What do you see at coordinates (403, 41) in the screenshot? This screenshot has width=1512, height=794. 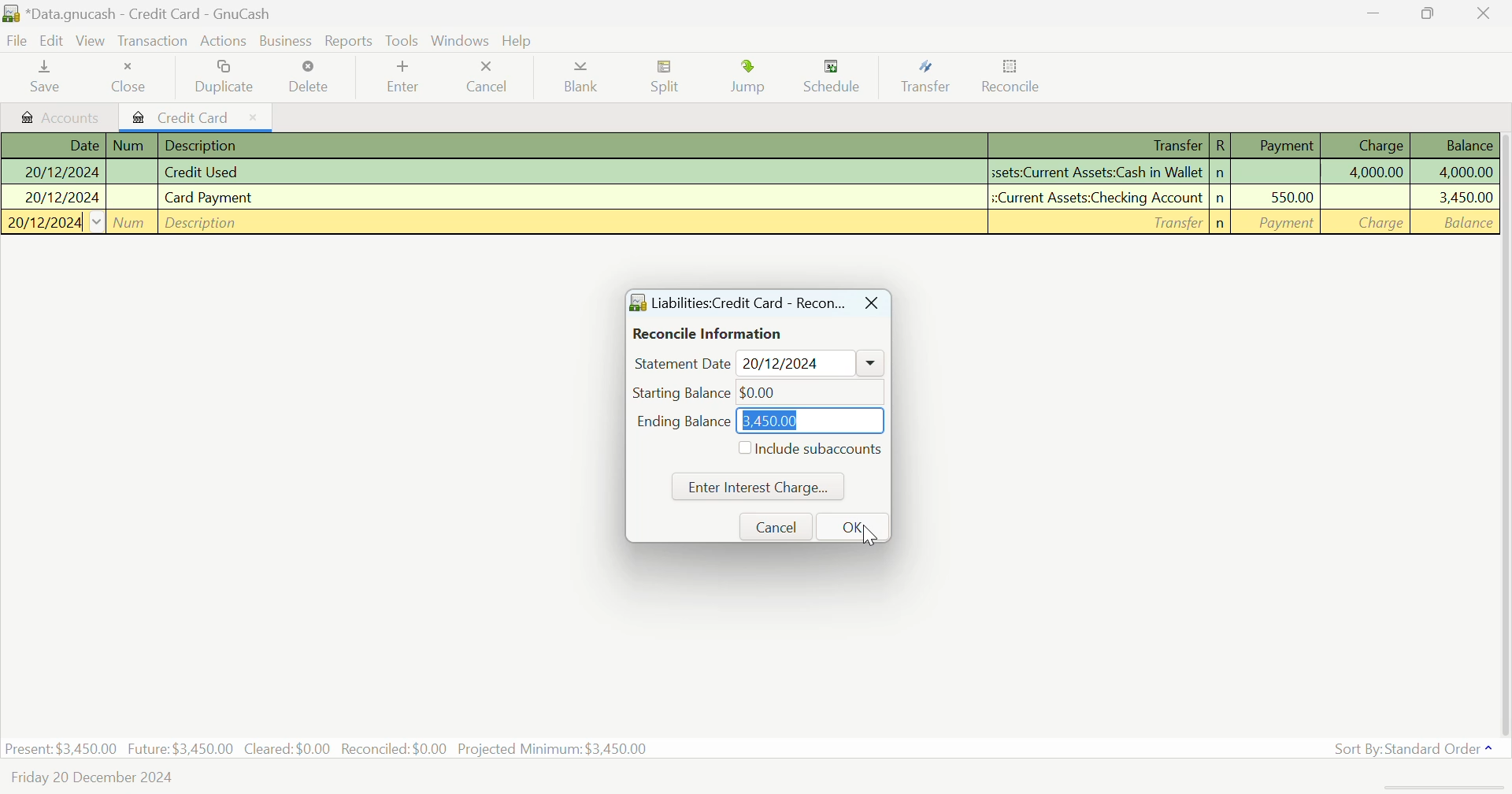 I see `Tools` at bounding box center [403, 41].